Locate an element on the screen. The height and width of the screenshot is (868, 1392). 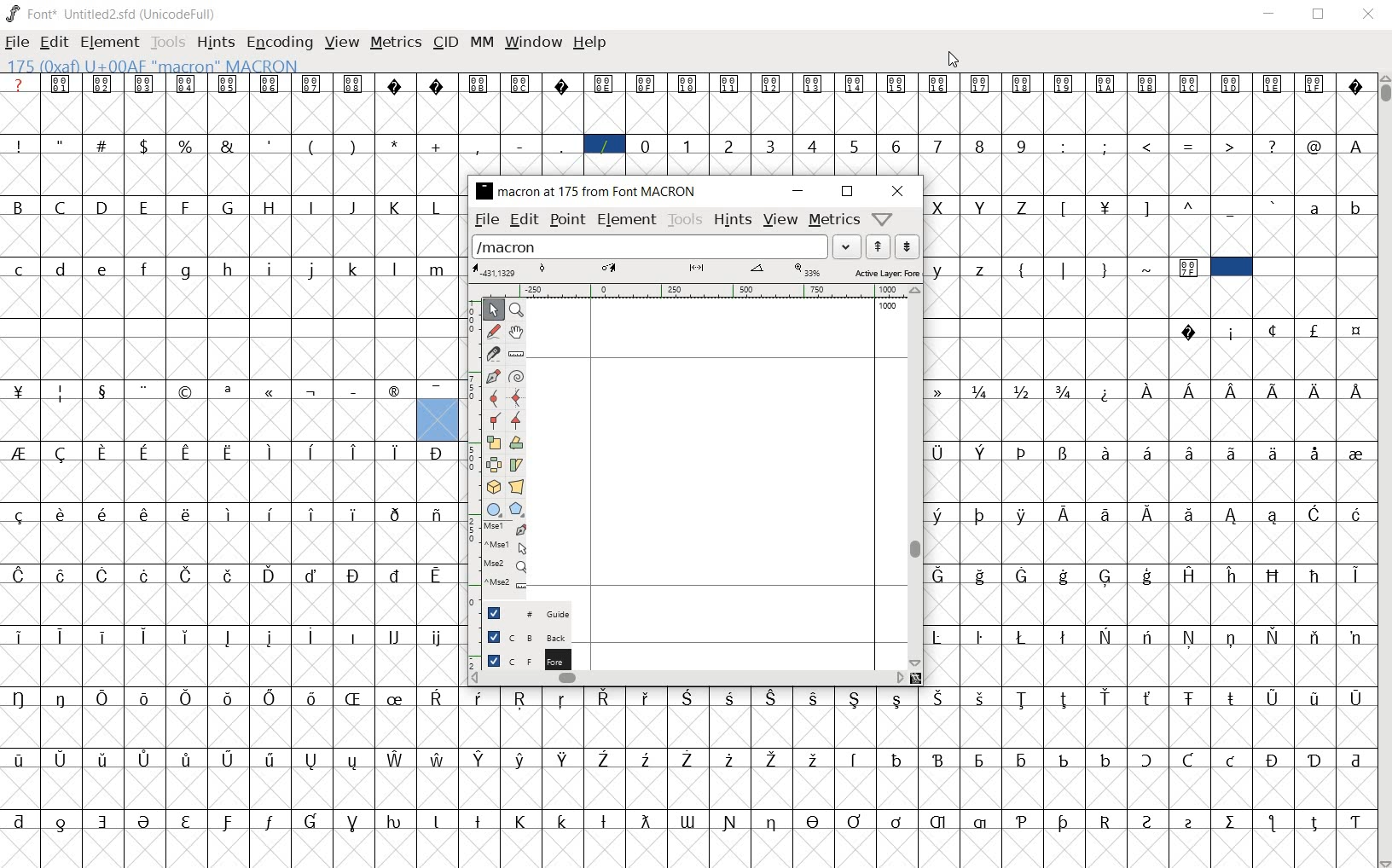
Symbol is located at coordinates (1230, 759).